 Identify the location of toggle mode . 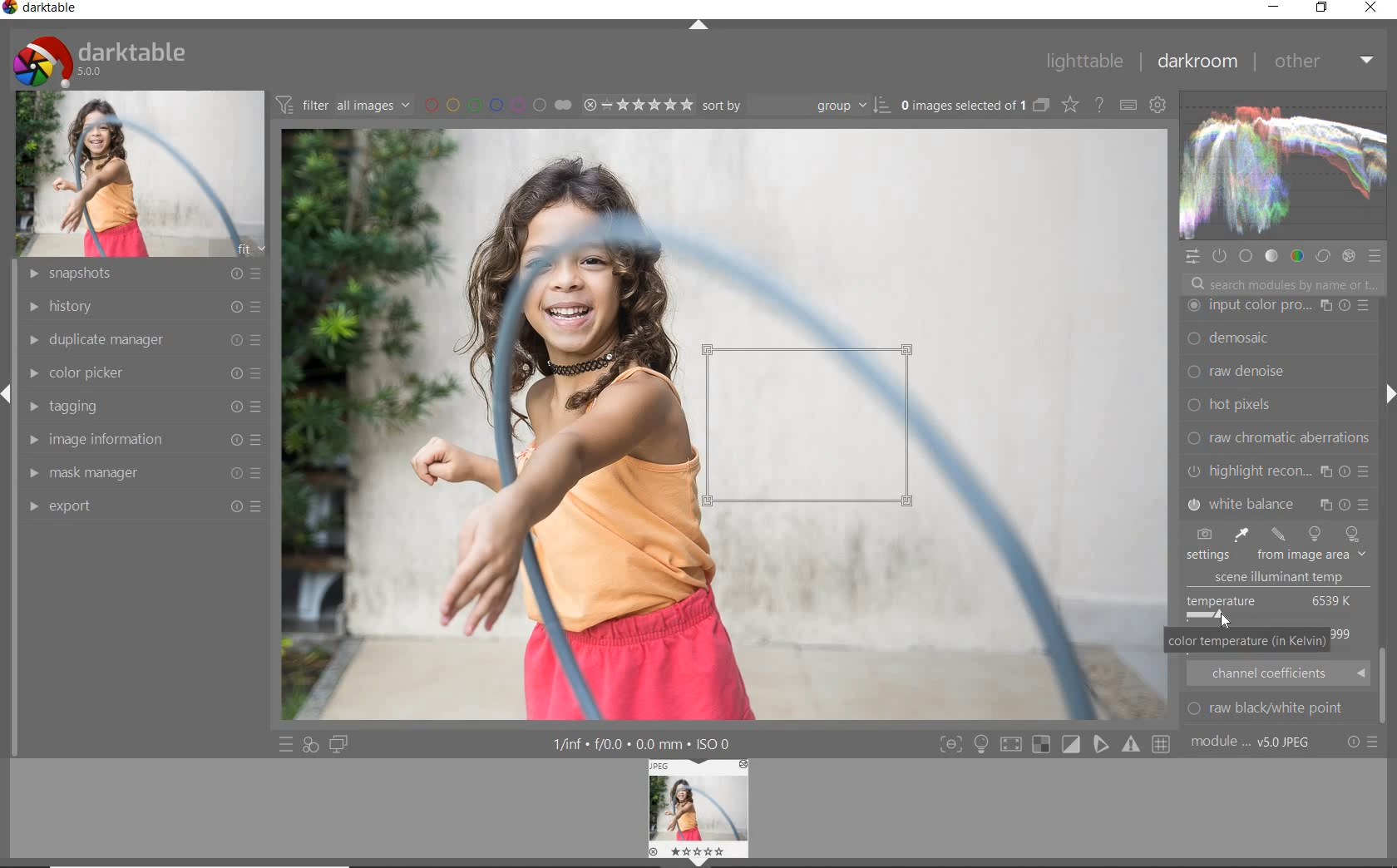
(1163, 744).